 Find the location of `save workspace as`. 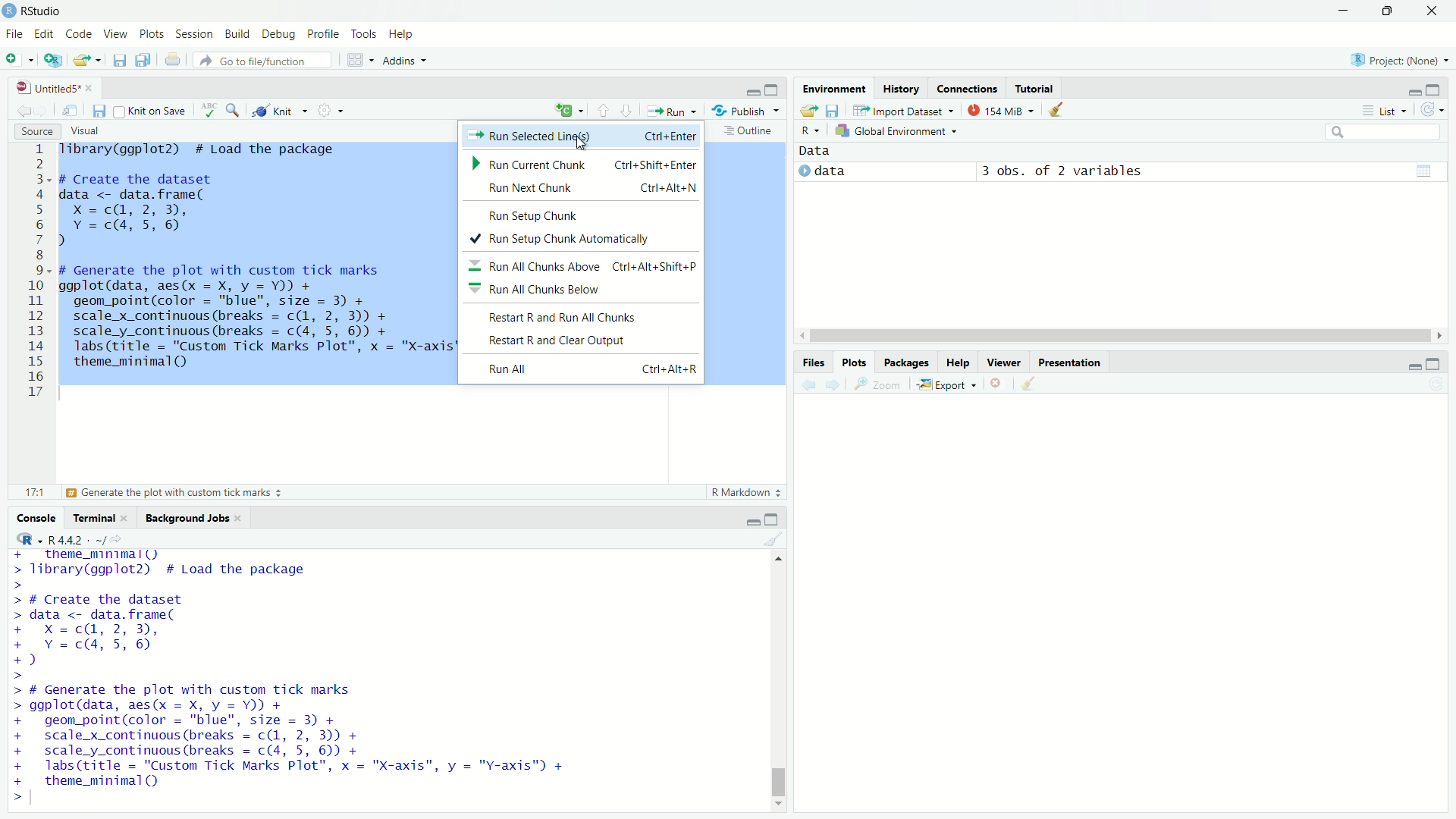

save workspace as is located at coordinates (836, 111).